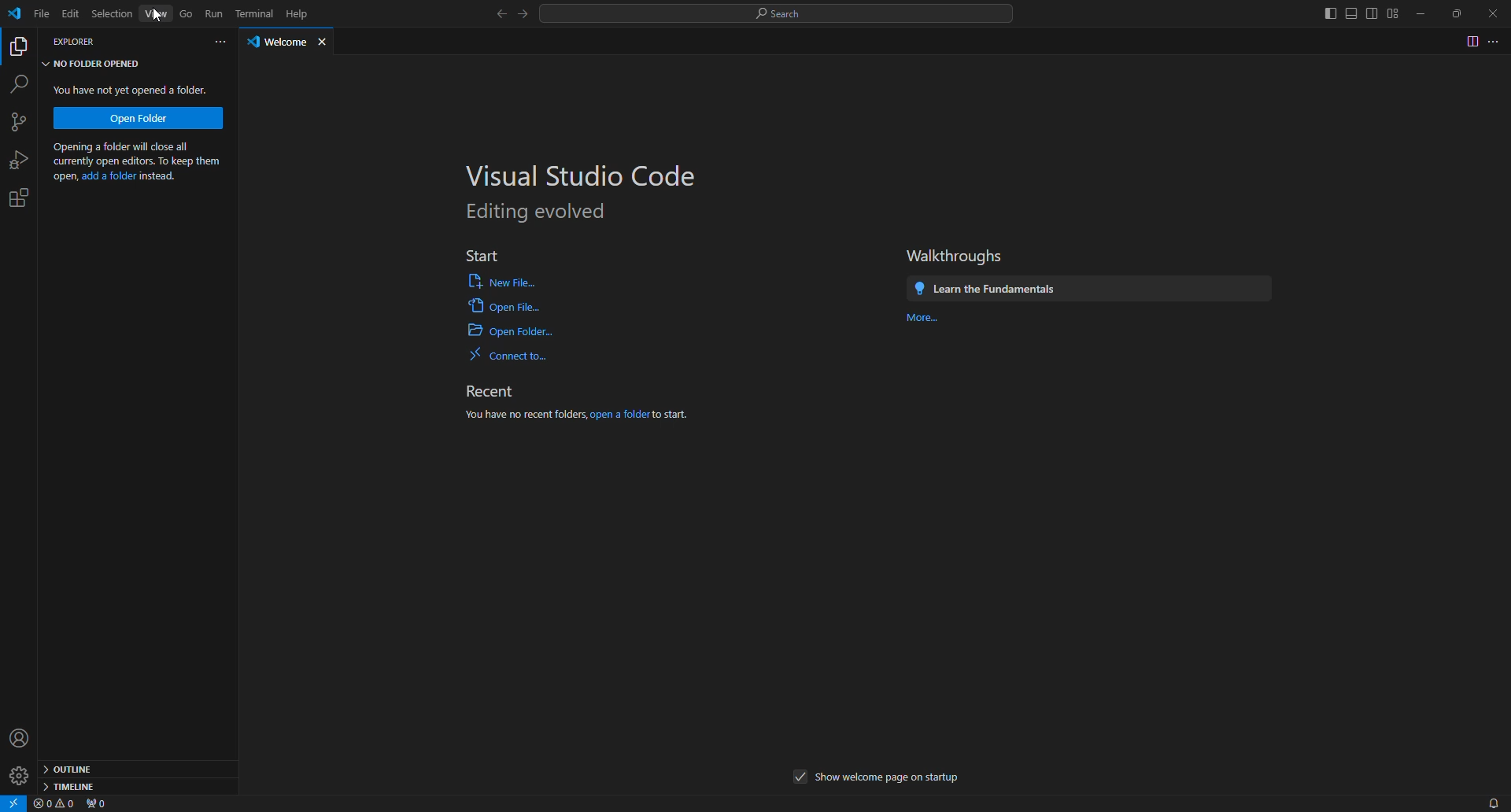 The height and width of the screenshot is (812, 1511). Describe the element at coordinates (1471, 43) in the screenshot. I see `toggle switch page` at that location.